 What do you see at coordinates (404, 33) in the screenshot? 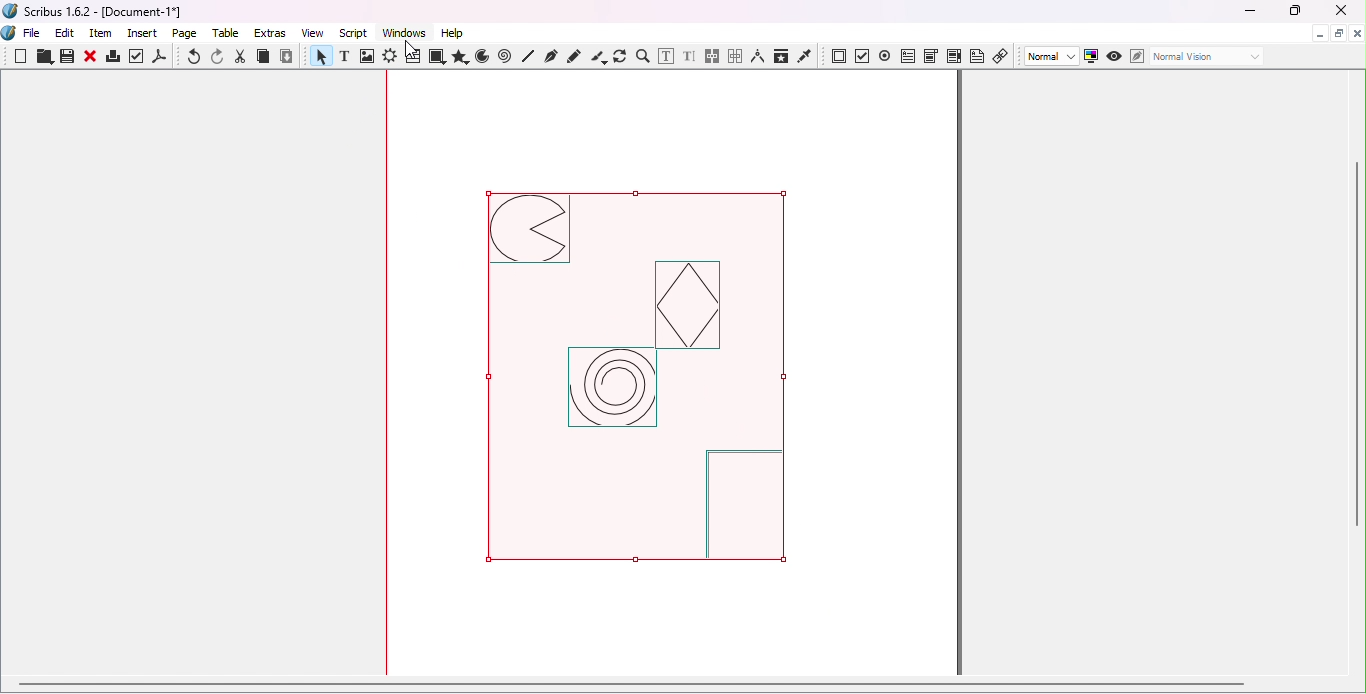
I see `Windows` at bounding box center [404, 33].